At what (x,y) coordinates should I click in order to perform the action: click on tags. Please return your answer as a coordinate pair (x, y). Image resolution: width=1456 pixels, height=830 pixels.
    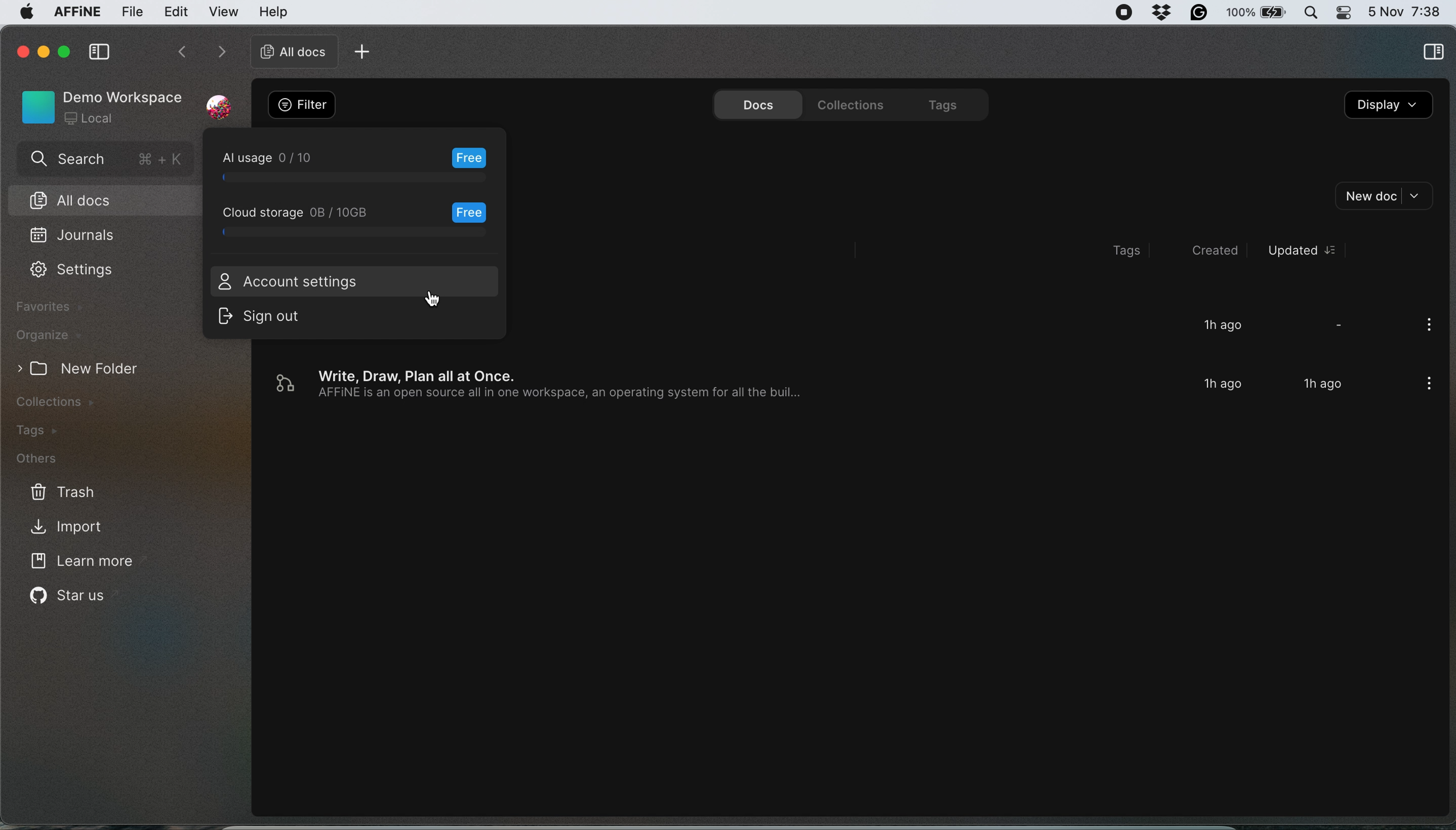
    Looking at the image, I should click on (46, 430).